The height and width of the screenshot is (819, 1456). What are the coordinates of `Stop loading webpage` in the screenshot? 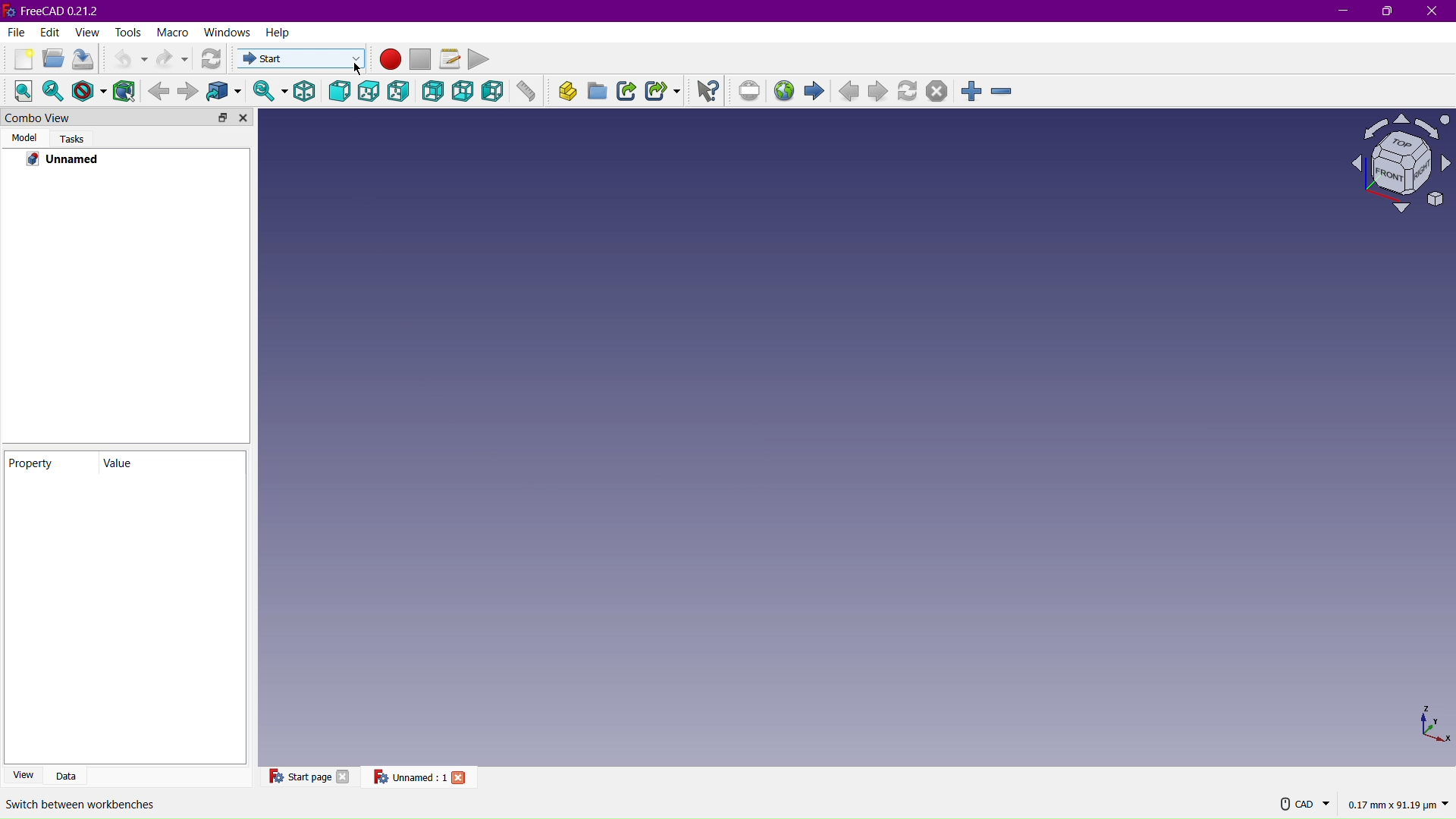 It's located at (936, 92).